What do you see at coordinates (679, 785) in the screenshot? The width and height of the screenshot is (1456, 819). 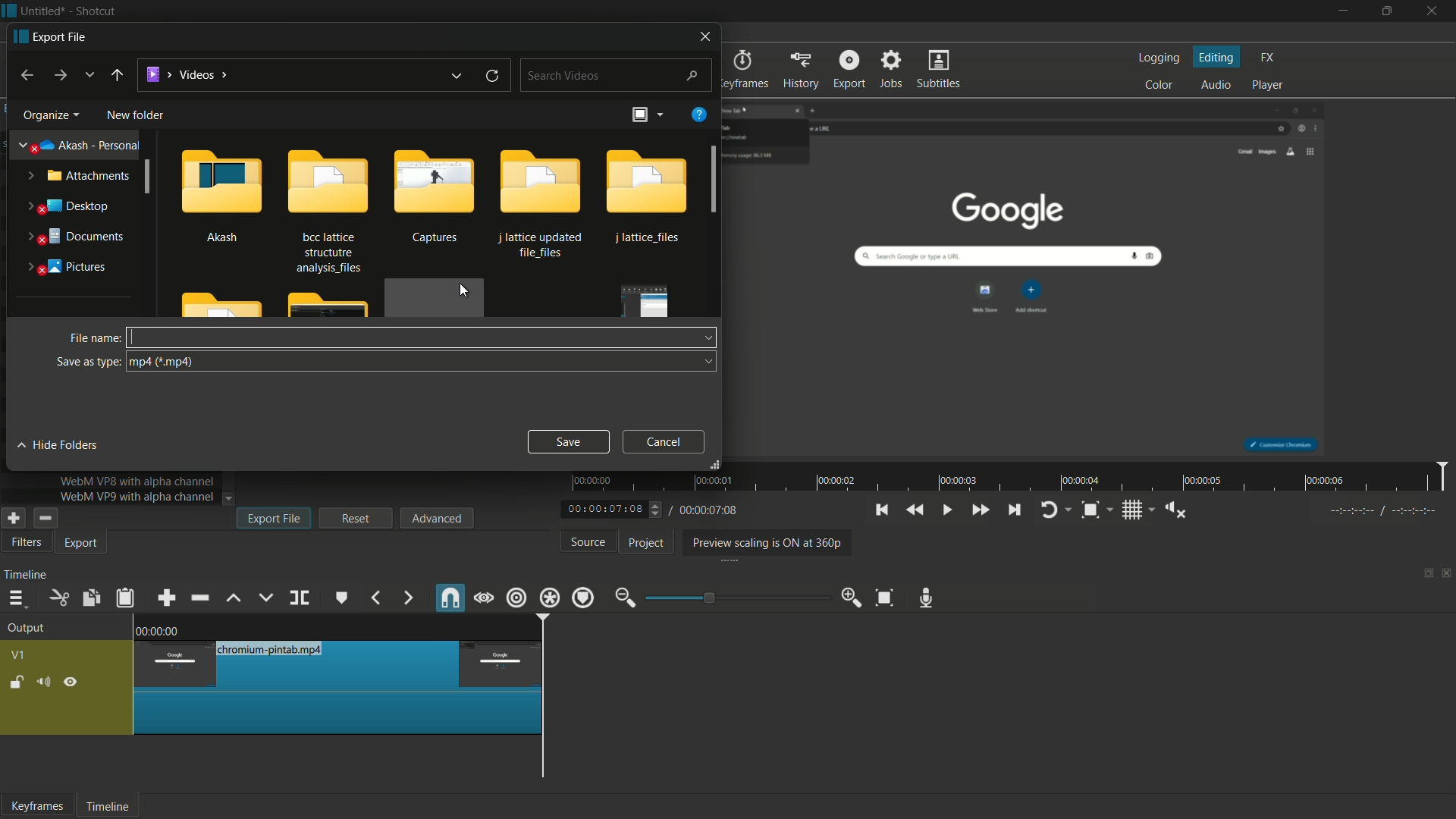 I see `scroll bar` at bounding box center [679, 785].